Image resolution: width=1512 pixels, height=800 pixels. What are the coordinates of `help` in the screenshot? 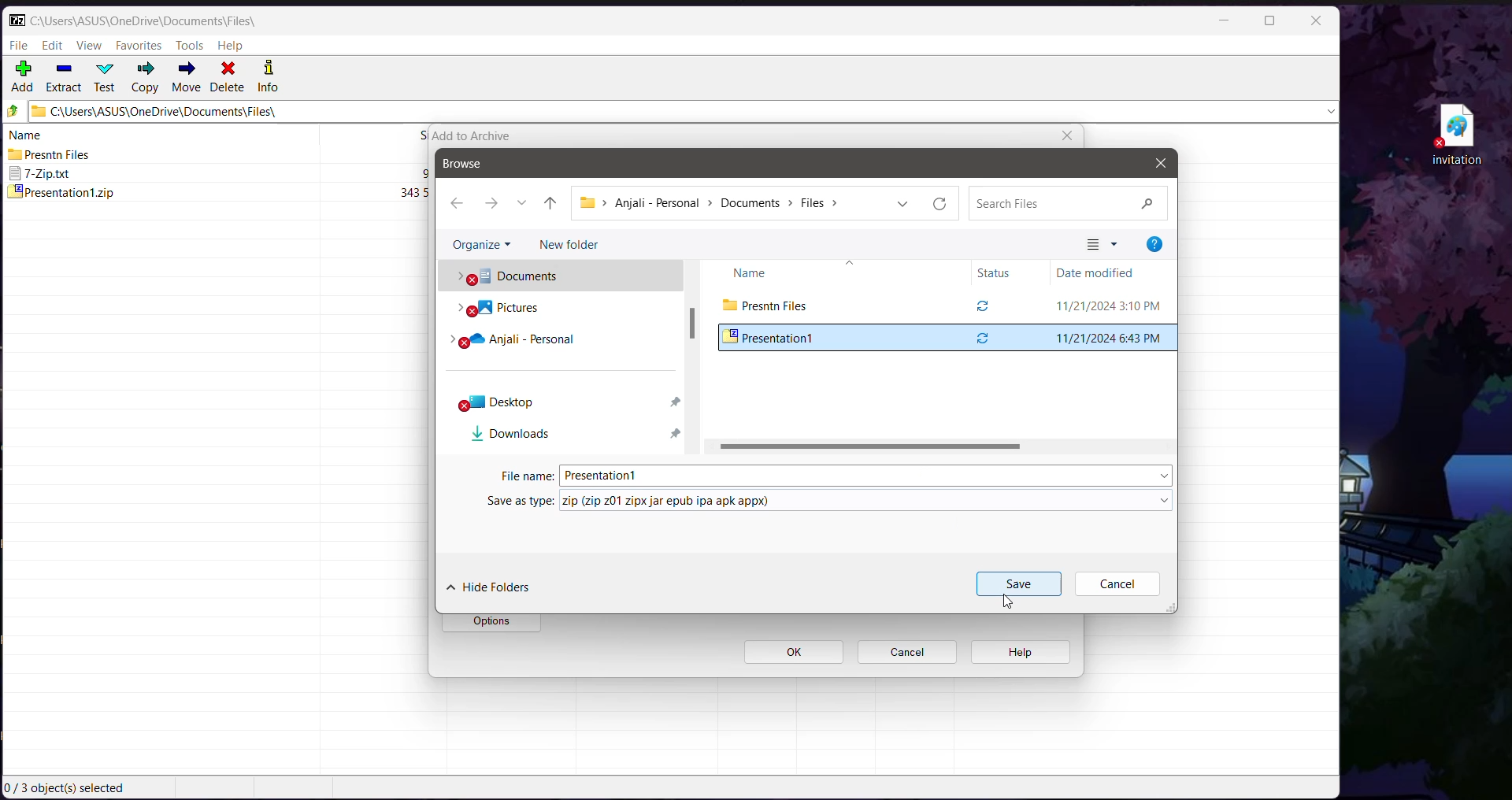 It's located at (1018, 654).